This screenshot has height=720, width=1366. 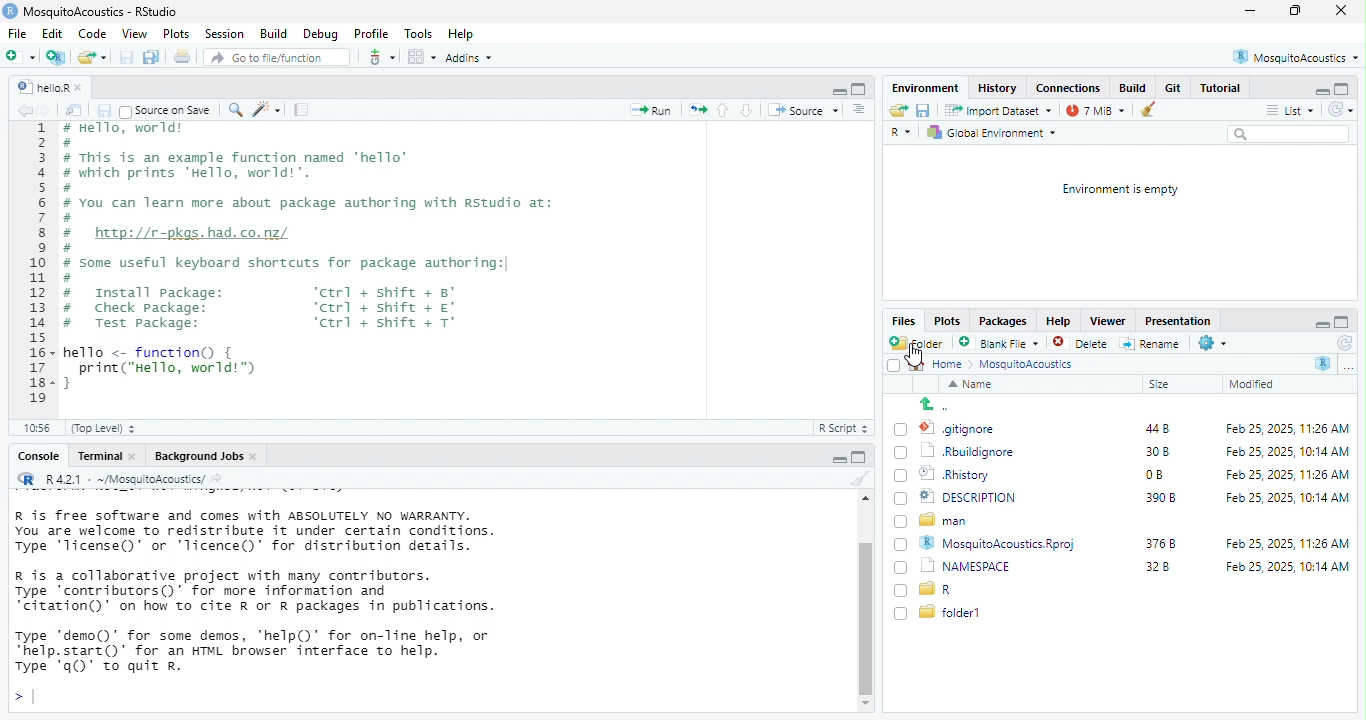 I want to click on settings, so click(x=1219, y=344).